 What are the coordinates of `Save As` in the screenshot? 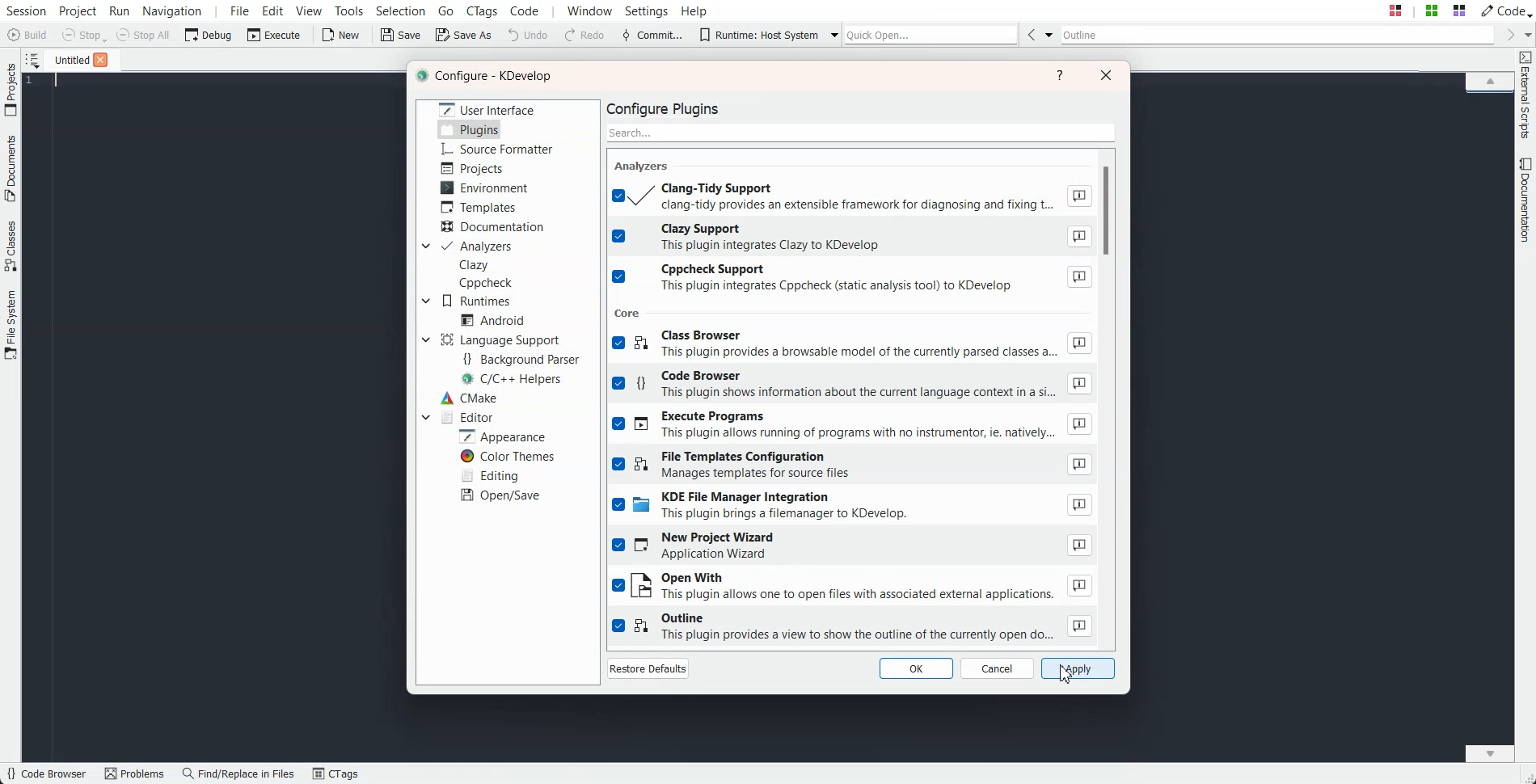 It's located at (463, 34).